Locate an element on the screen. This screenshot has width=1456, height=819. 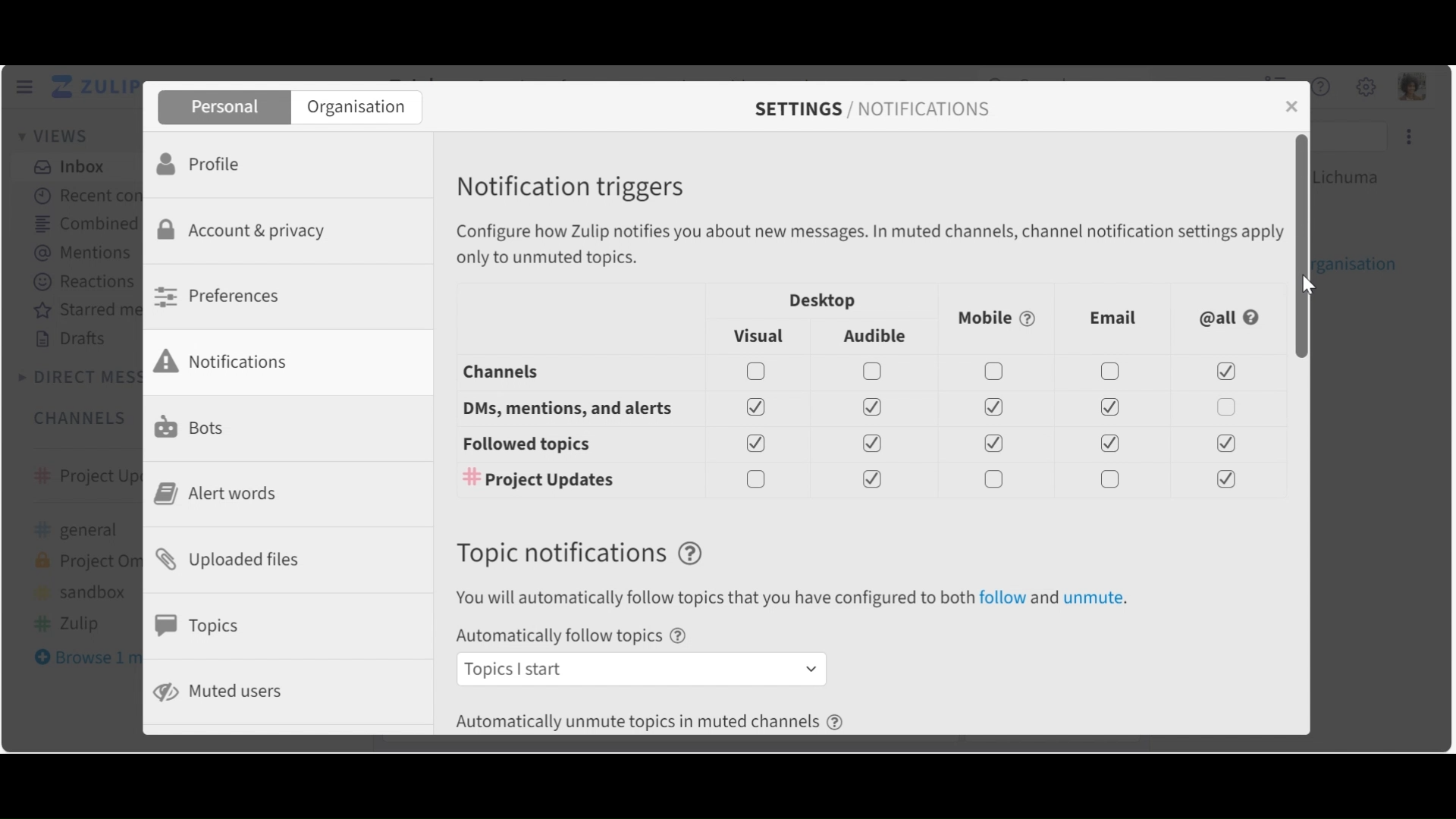
DMS, mentions is located at coordinates (857, 408).